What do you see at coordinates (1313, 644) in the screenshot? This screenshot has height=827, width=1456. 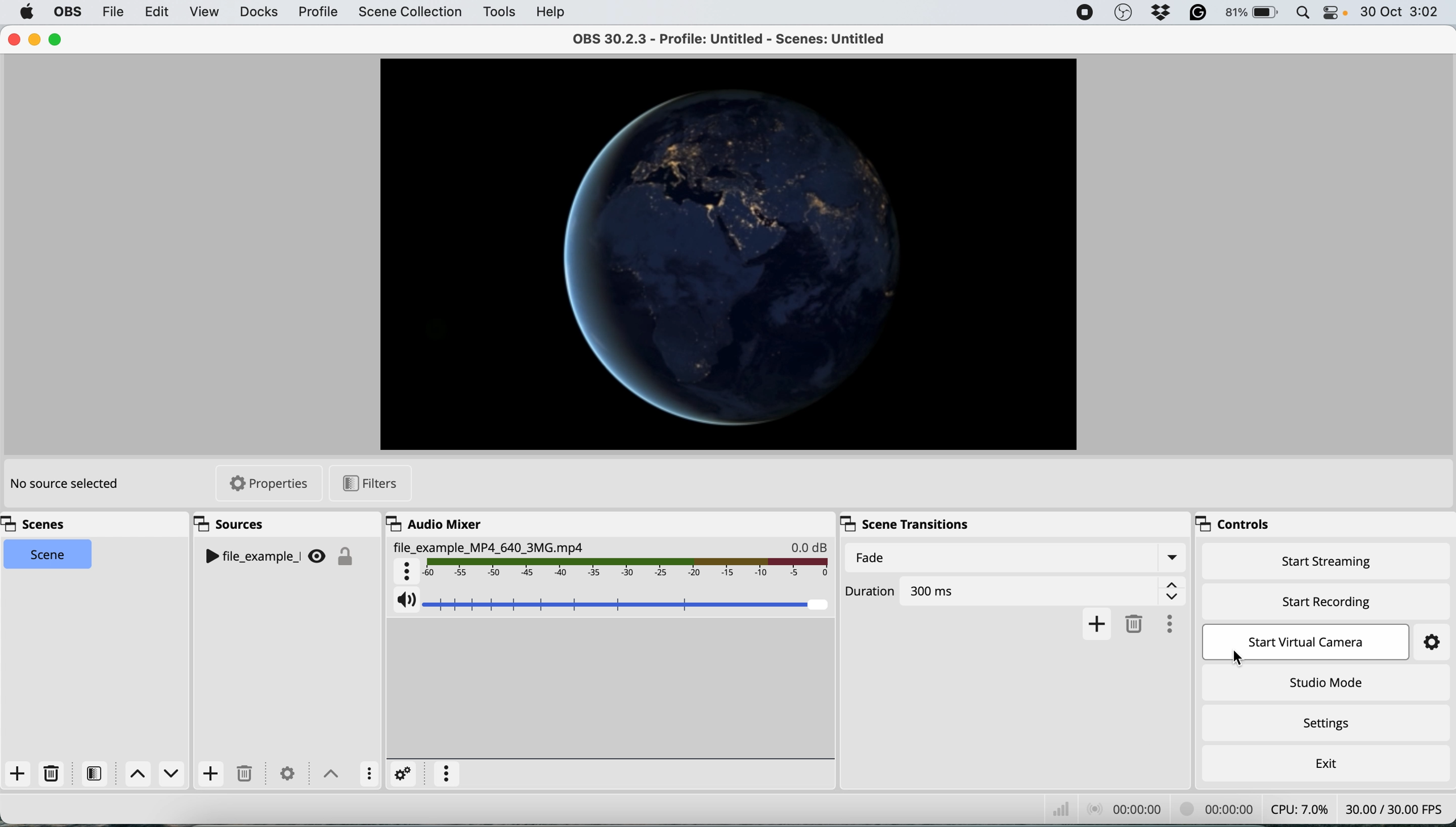 I see `start virtual camera` at bounding box center [1313, 644].